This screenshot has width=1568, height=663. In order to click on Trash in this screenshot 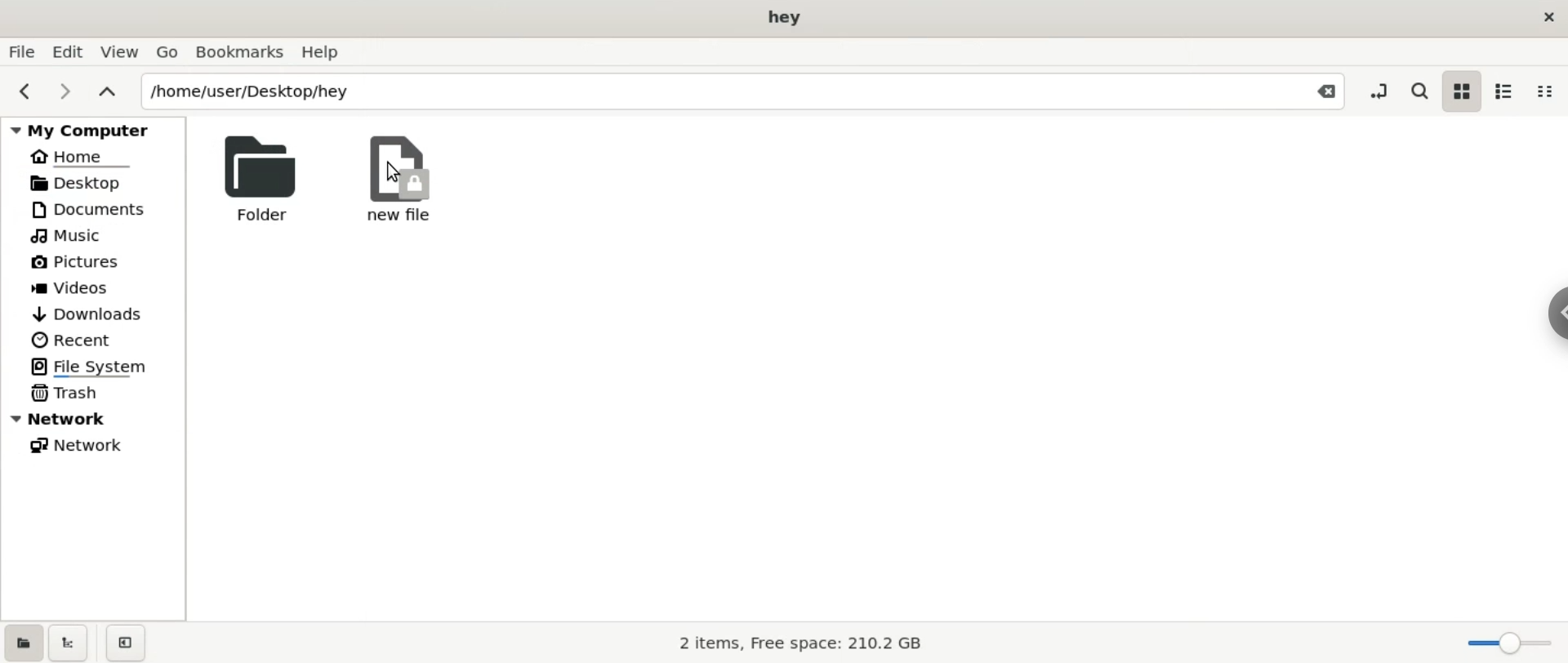, I will do `click(63, 394)`.